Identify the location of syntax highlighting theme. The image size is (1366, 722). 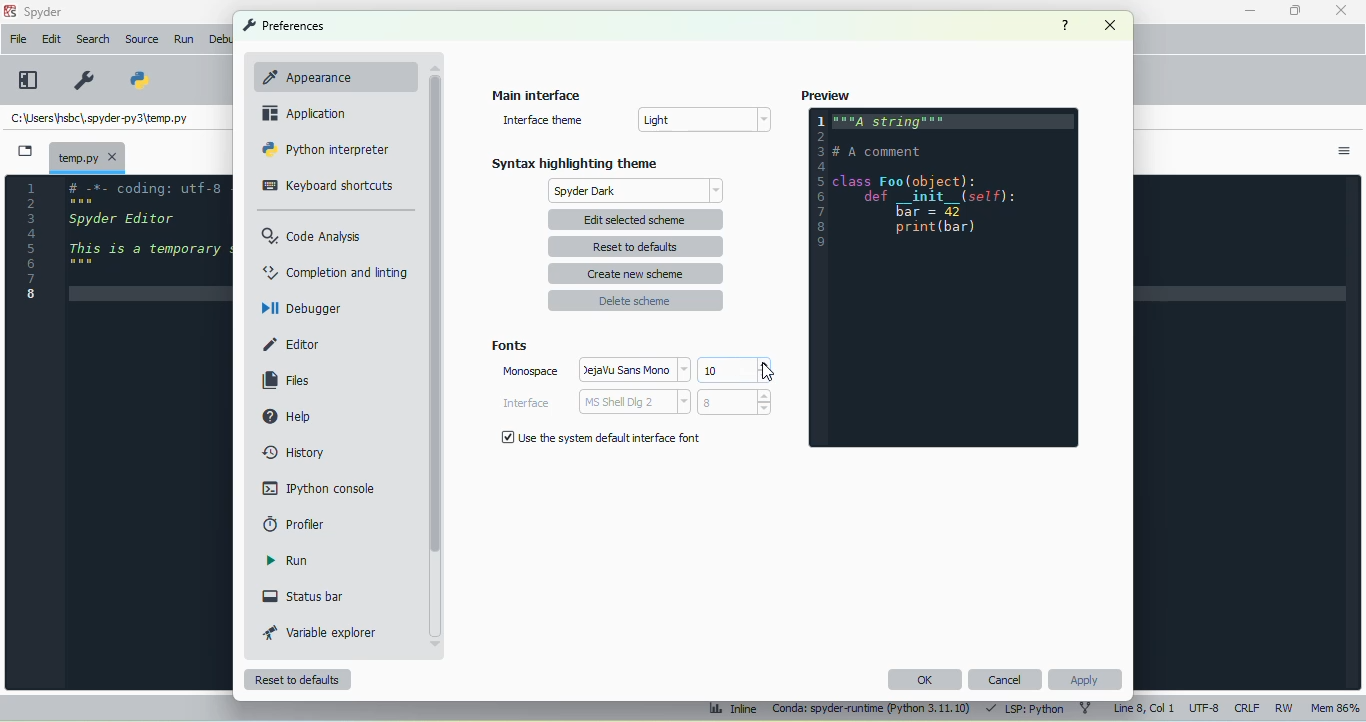
(575, 163).